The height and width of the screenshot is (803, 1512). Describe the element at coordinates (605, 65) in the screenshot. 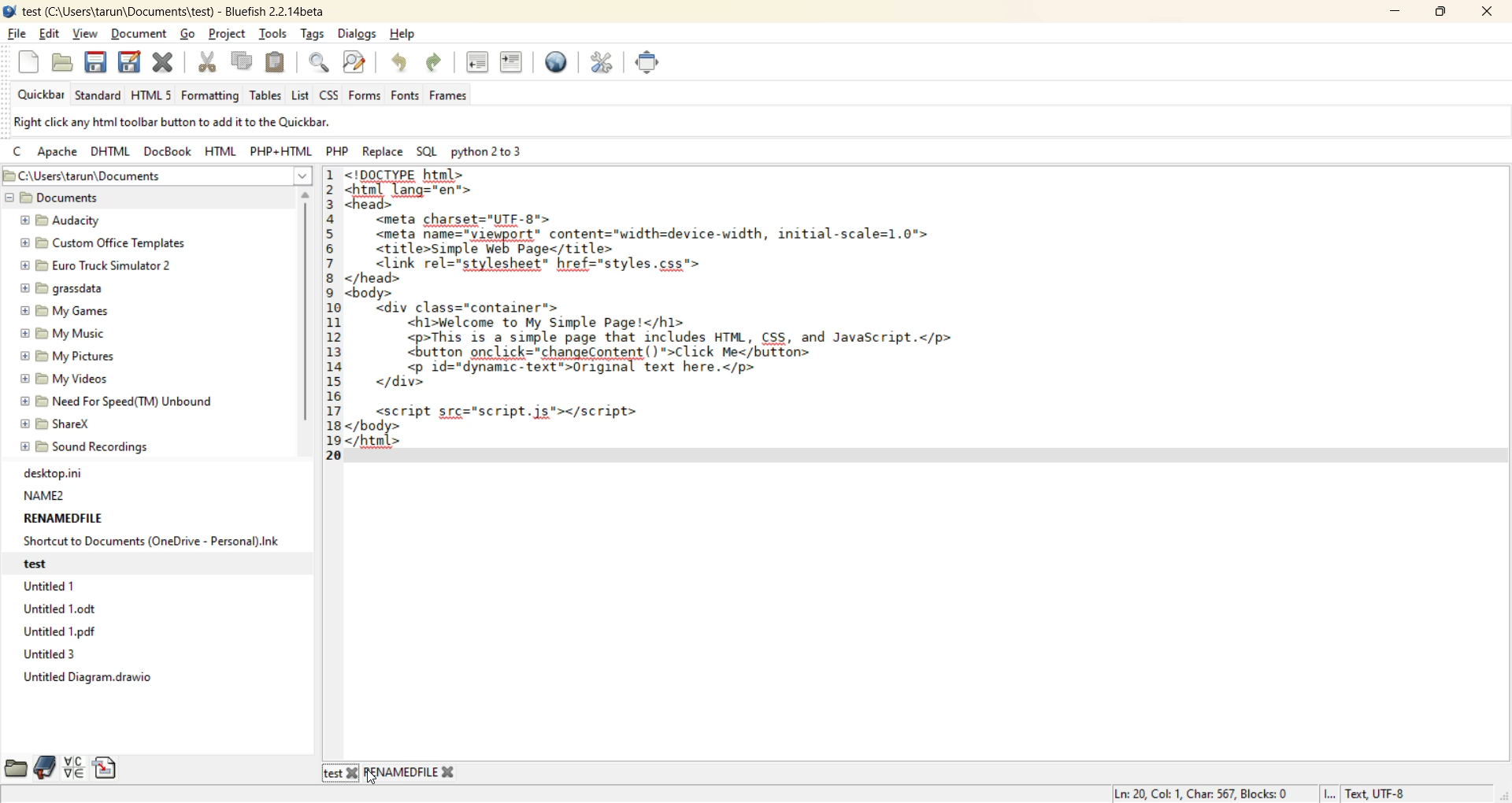

I see `edit preferences` at that location.